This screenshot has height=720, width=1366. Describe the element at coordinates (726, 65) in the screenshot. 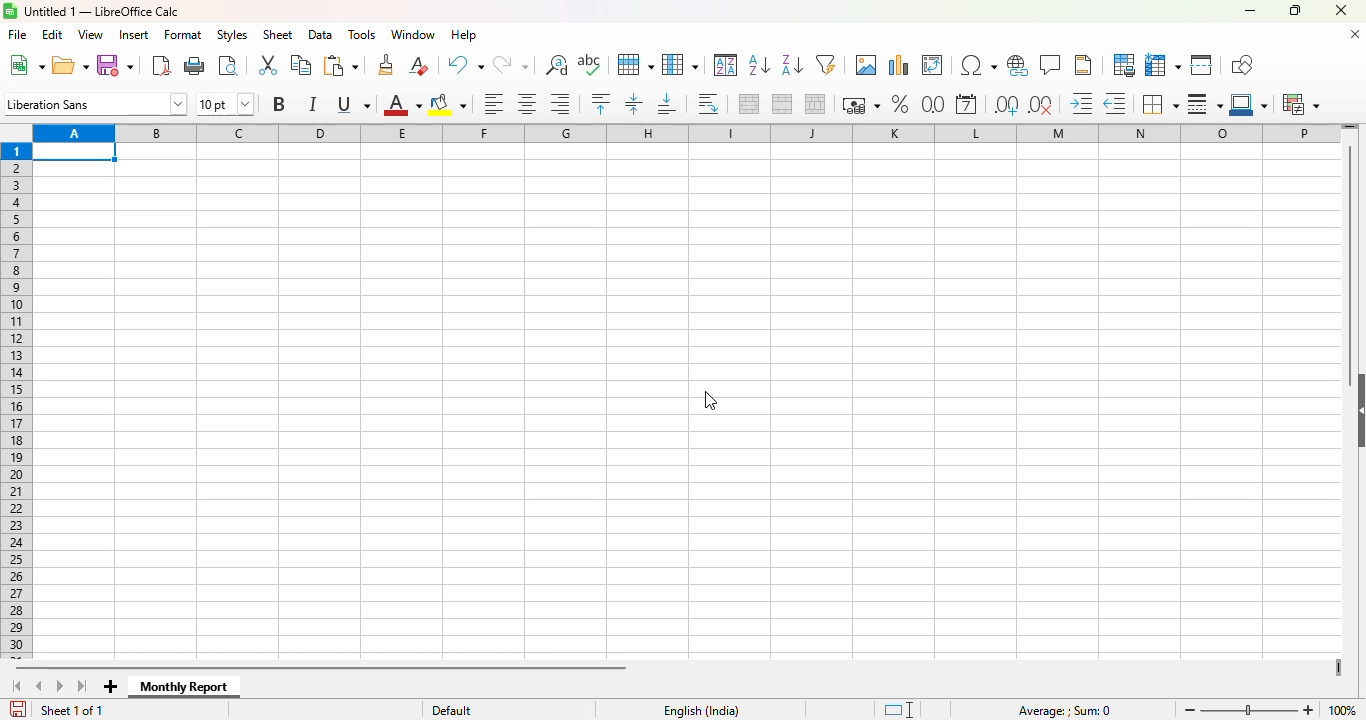

I see `sort` at that location.